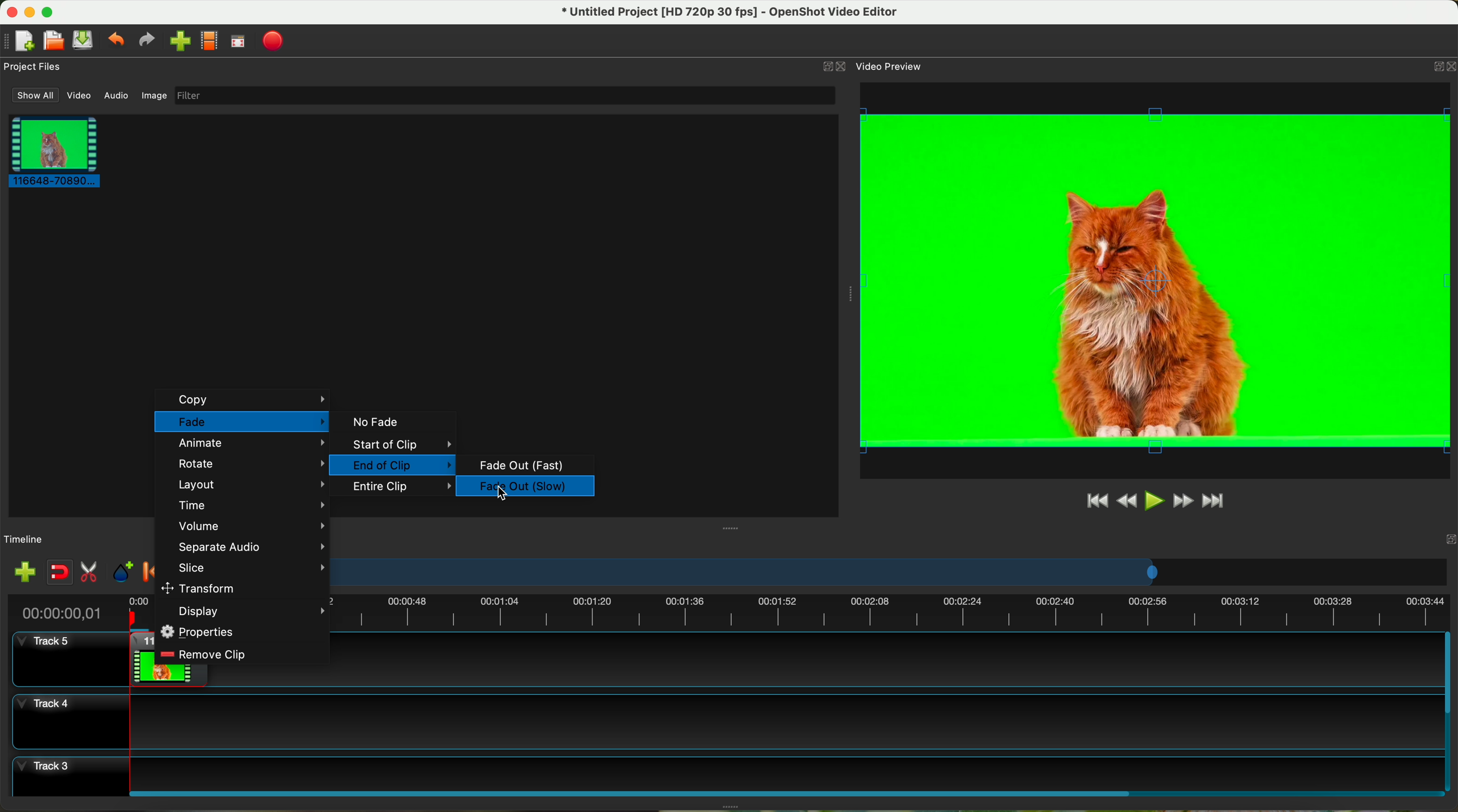 The image size is (1458, 812). Describe the element at coordinates (250, 463) in the screenshot. I see `rotate` at that location.